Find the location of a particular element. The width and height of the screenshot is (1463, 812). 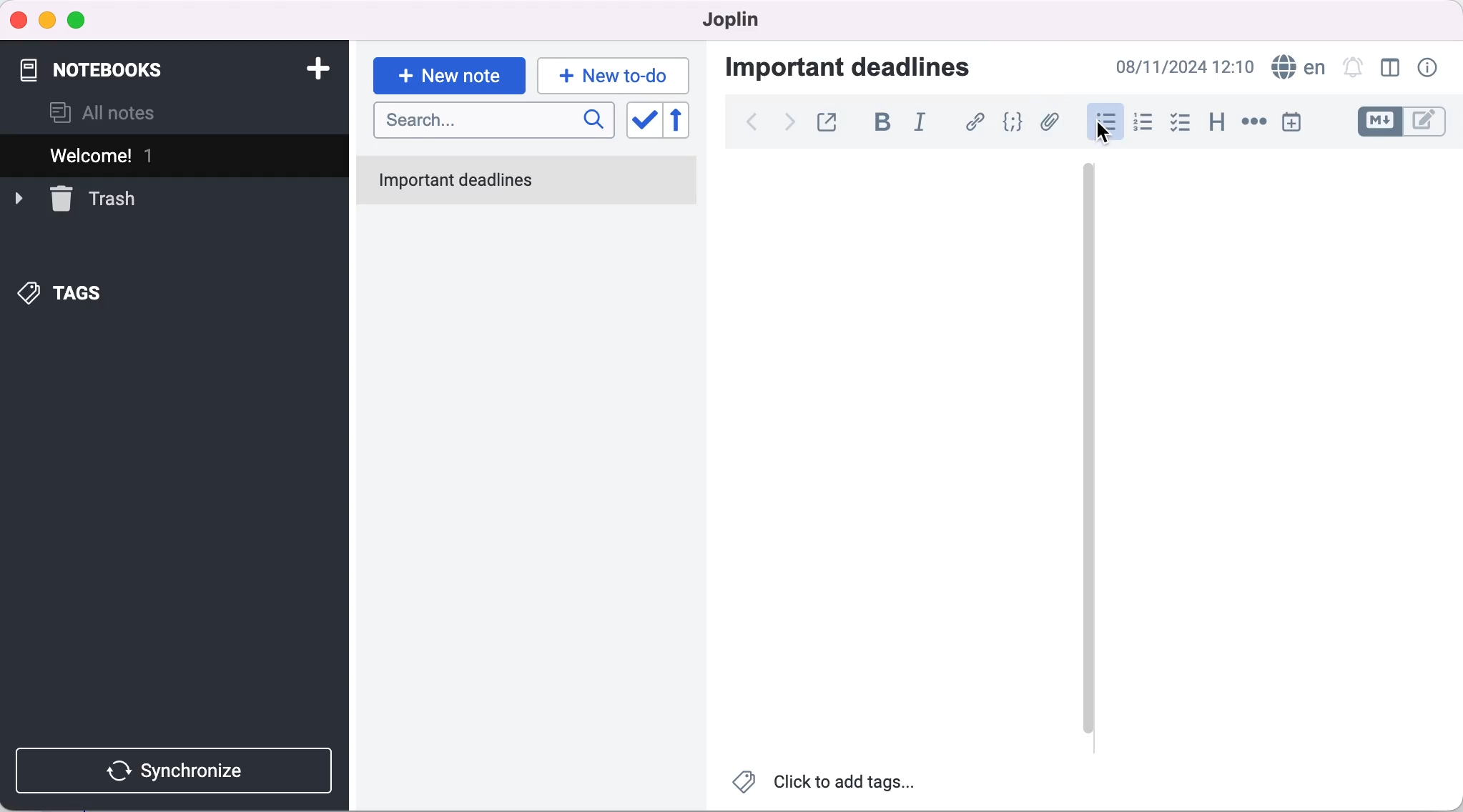

all notes is located at coordinates (119, 111).